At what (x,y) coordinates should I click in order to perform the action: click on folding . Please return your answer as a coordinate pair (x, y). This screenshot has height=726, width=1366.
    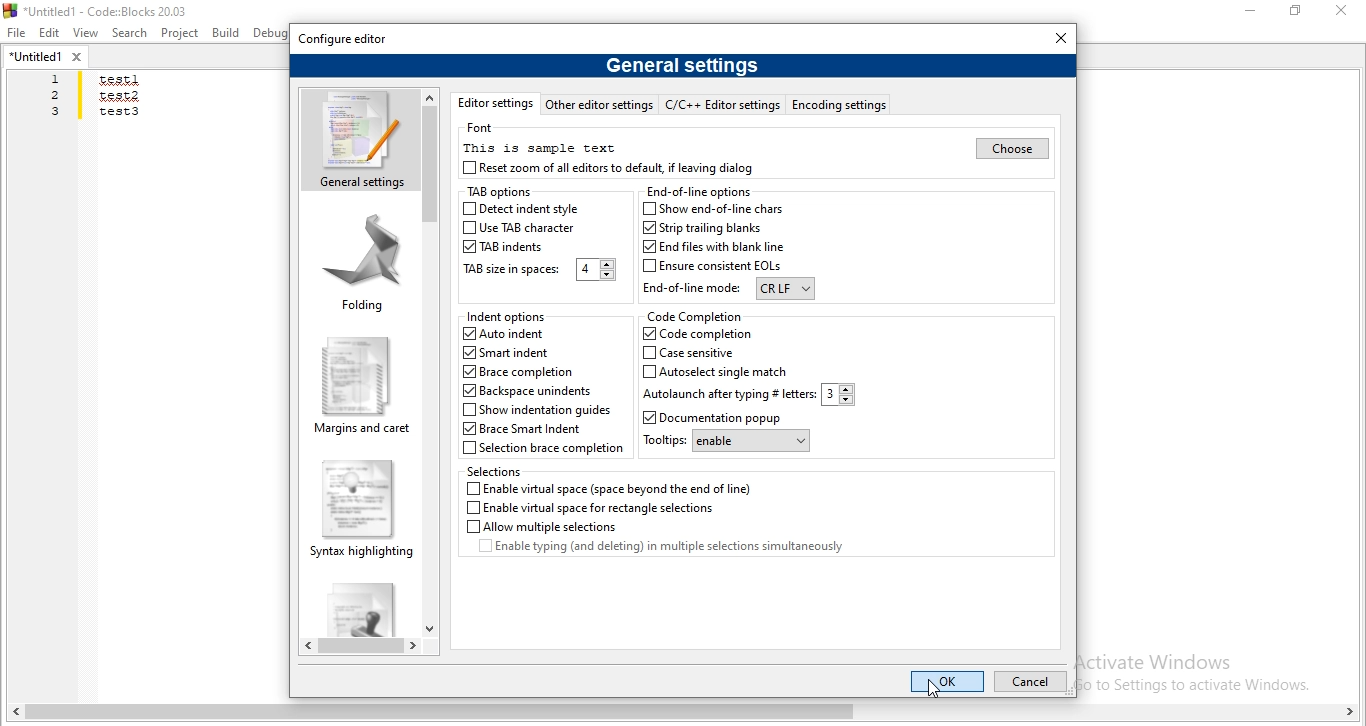
    Looking at the image, I should click on (363, 261).